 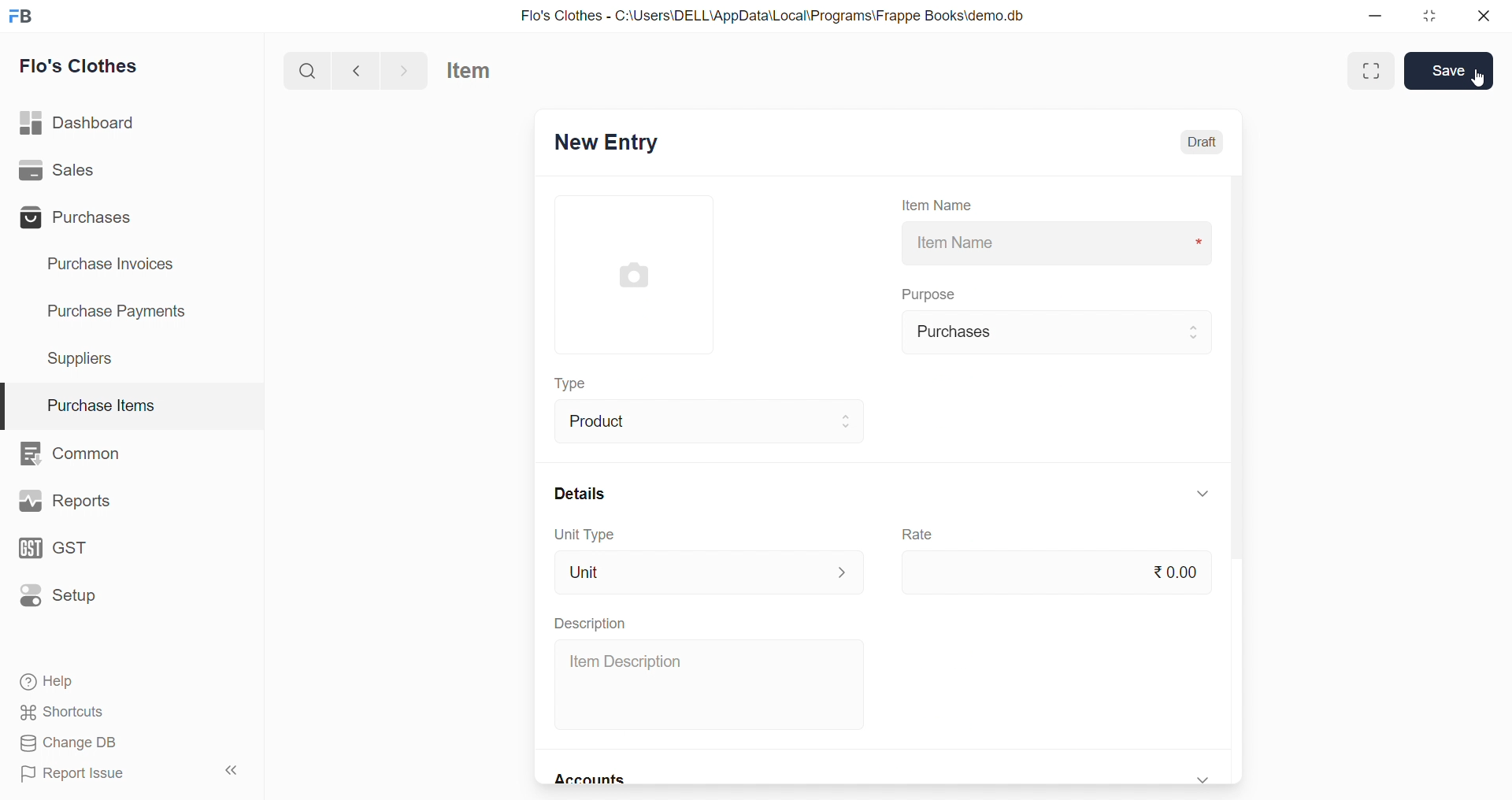 I want to click on navigate backward, so click(x=356, y=69).